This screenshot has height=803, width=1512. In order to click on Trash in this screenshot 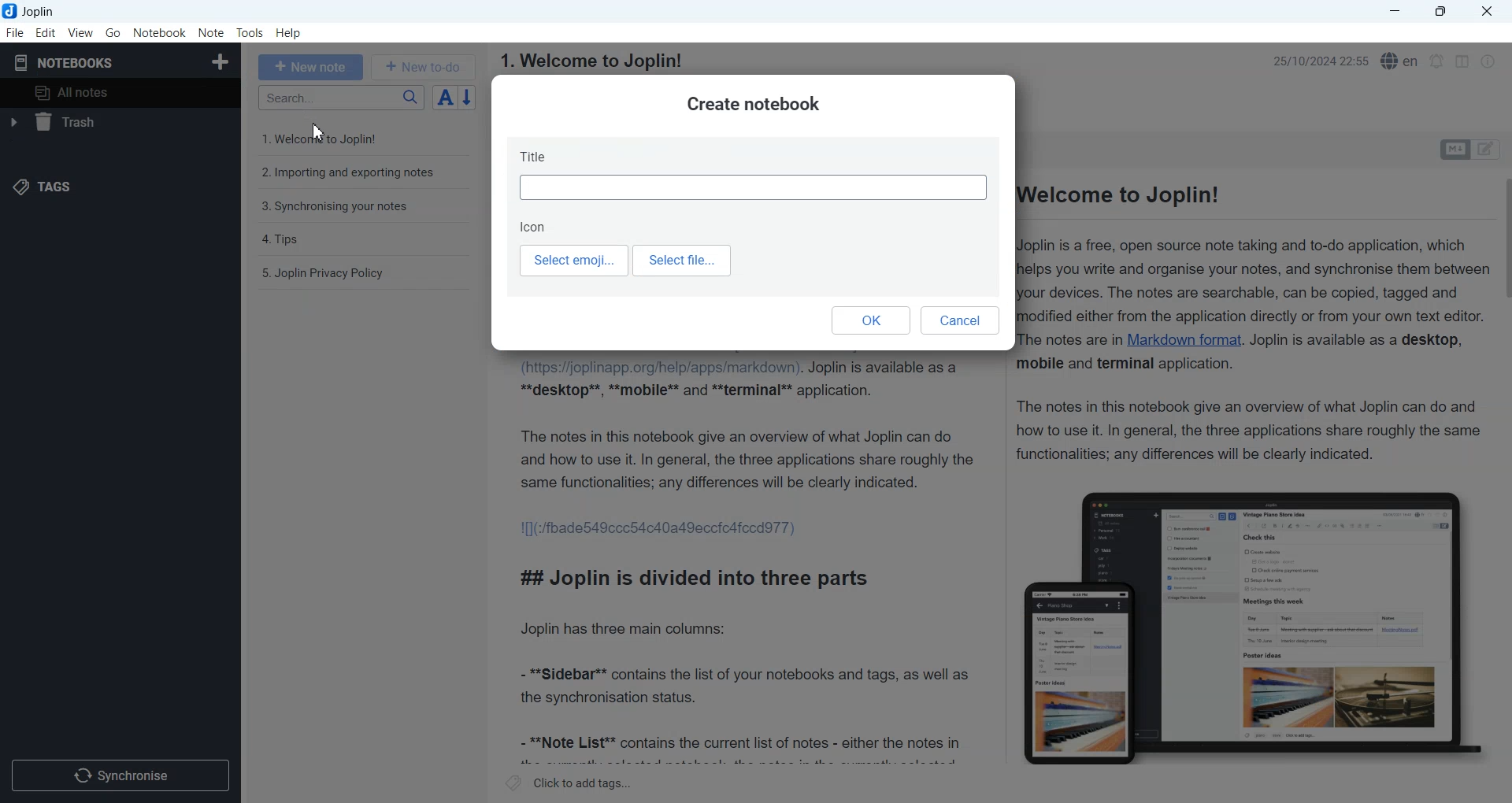, I will do `click(118, 122)`.